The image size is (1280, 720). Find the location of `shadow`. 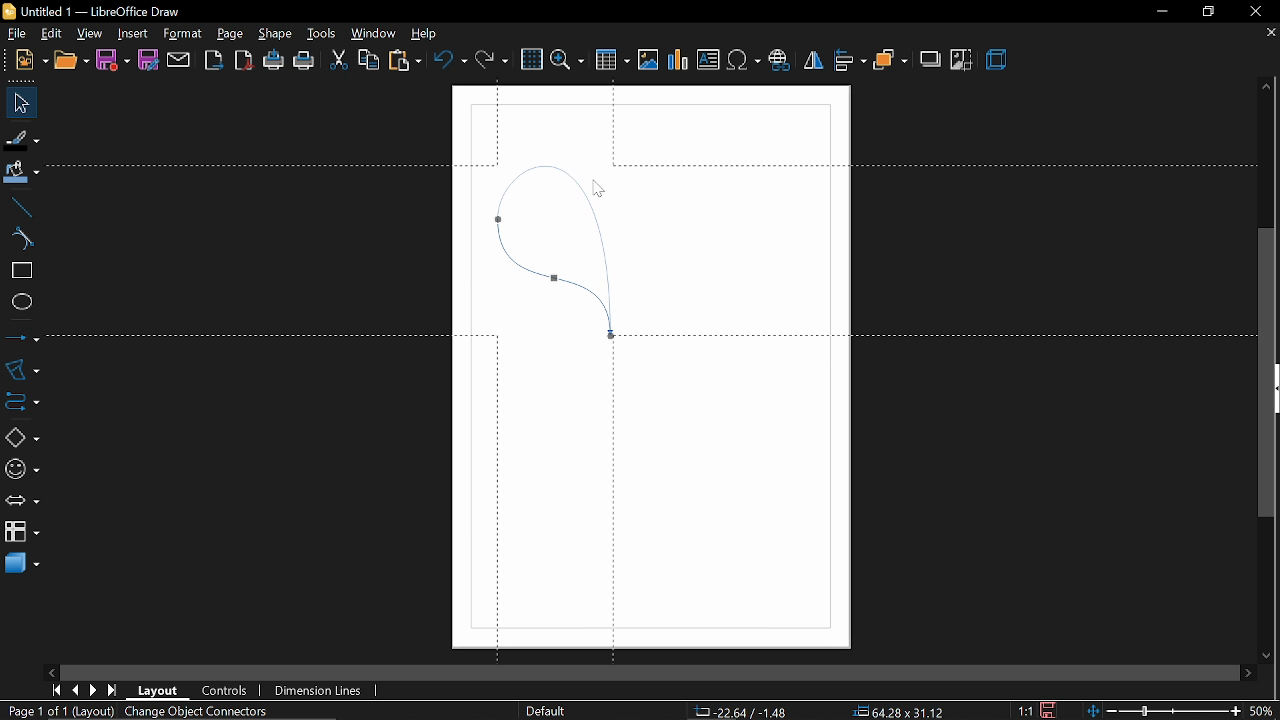

shadow is located at coordinates (929, 59).